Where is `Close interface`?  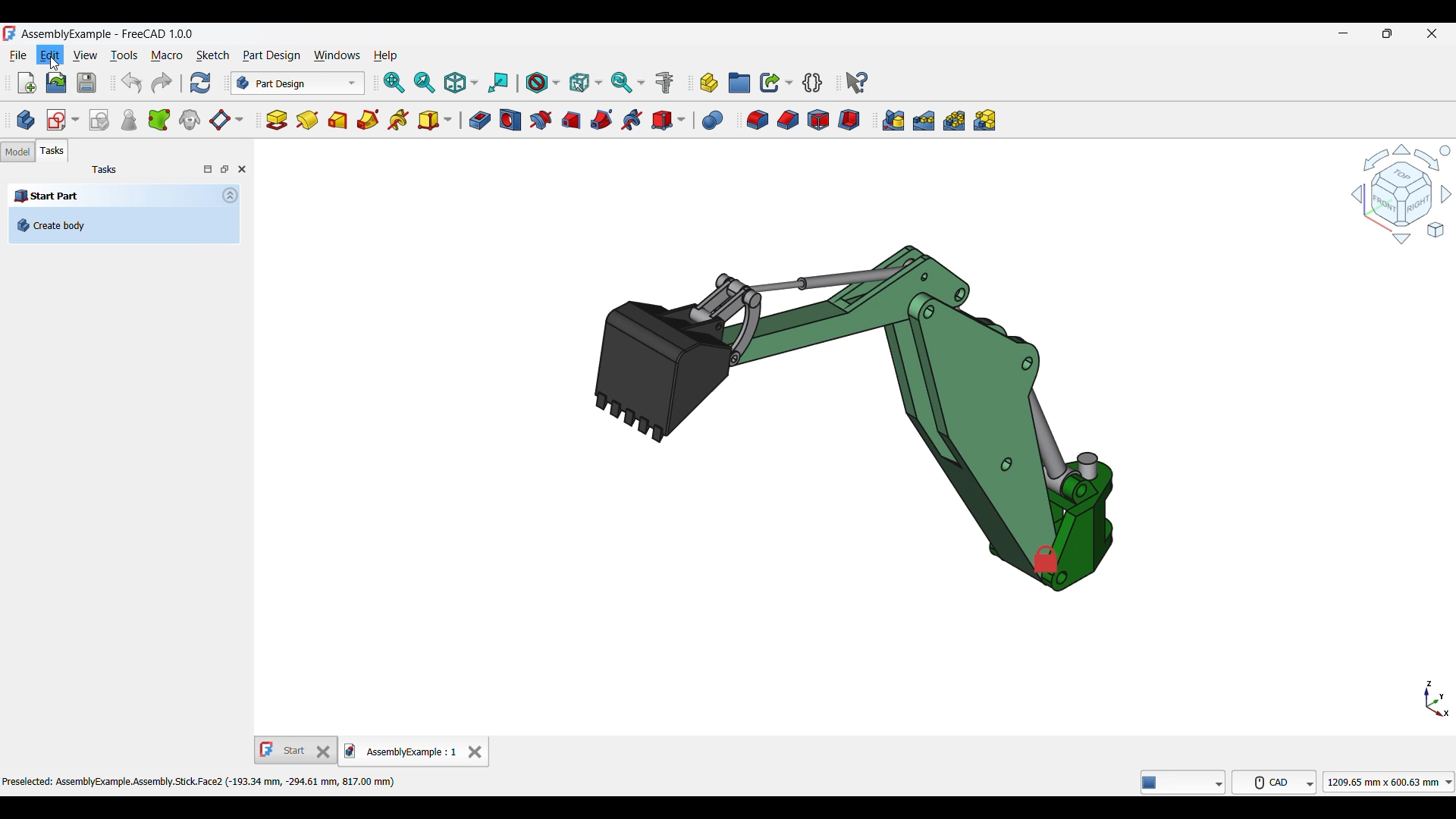 Close interface is located at coordinates (1432, 33).